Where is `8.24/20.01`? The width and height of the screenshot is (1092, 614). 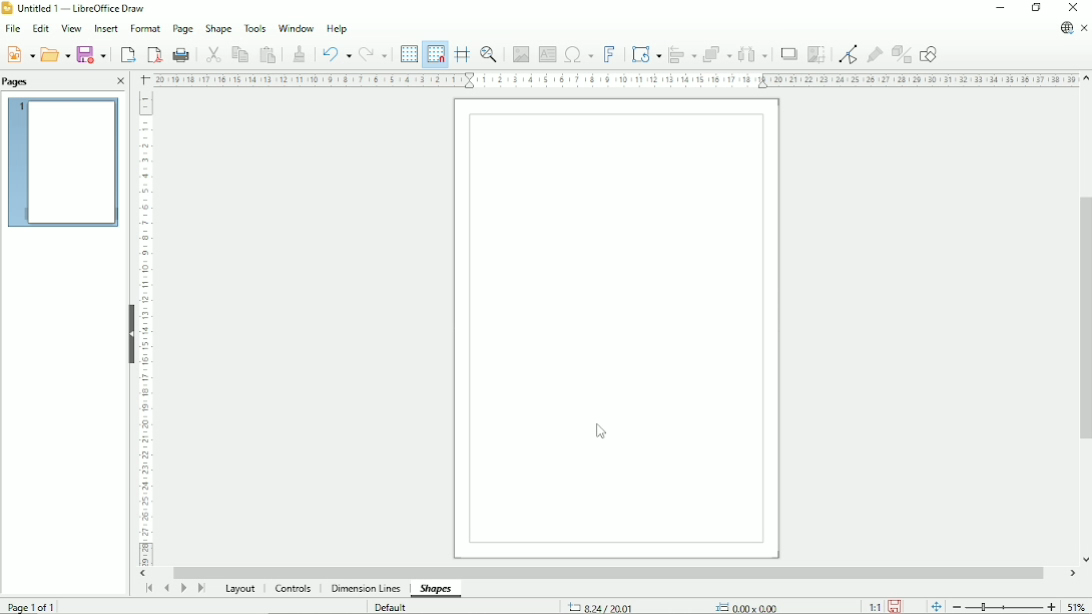
8.24/20.01 is located at coordinates (612, 606).